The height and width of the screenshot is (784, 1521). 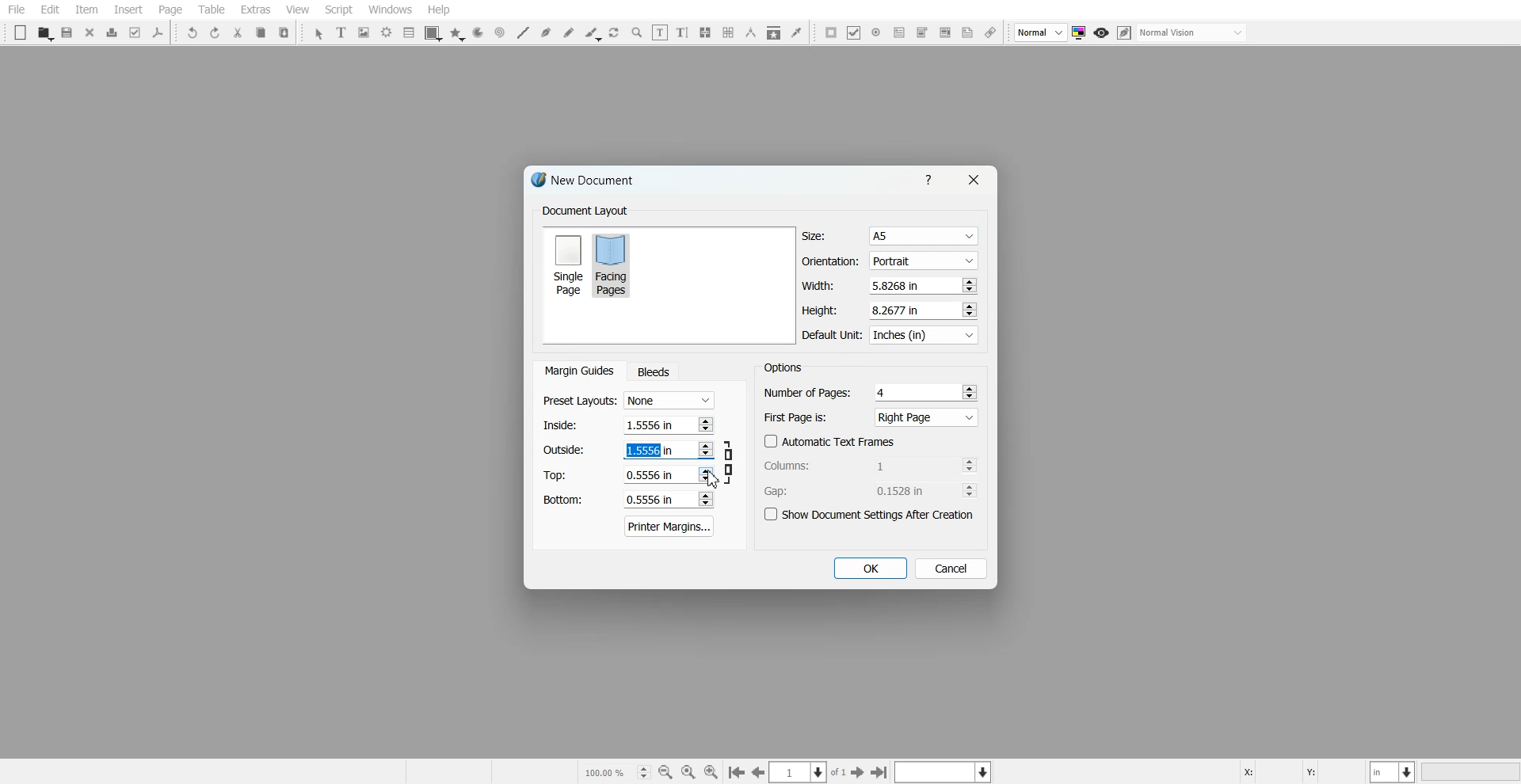 What do you see at coordinates (567, 264) in the screenshot?
I see `Single Page` at bounding box center [567, 264].